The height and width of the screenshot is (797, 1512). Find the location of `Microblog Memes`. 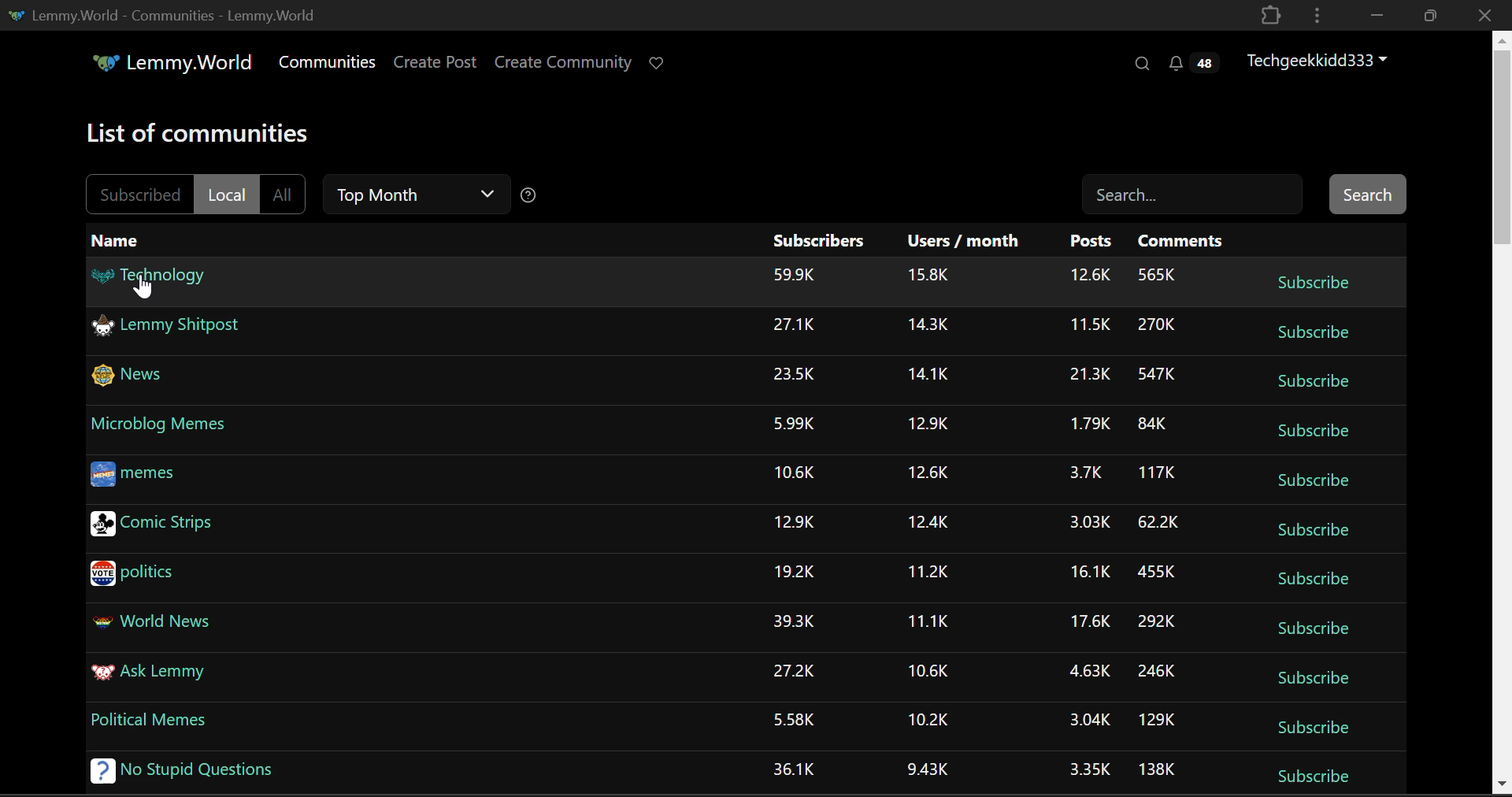

Microblog Memes is located at coordinates (159, 425).